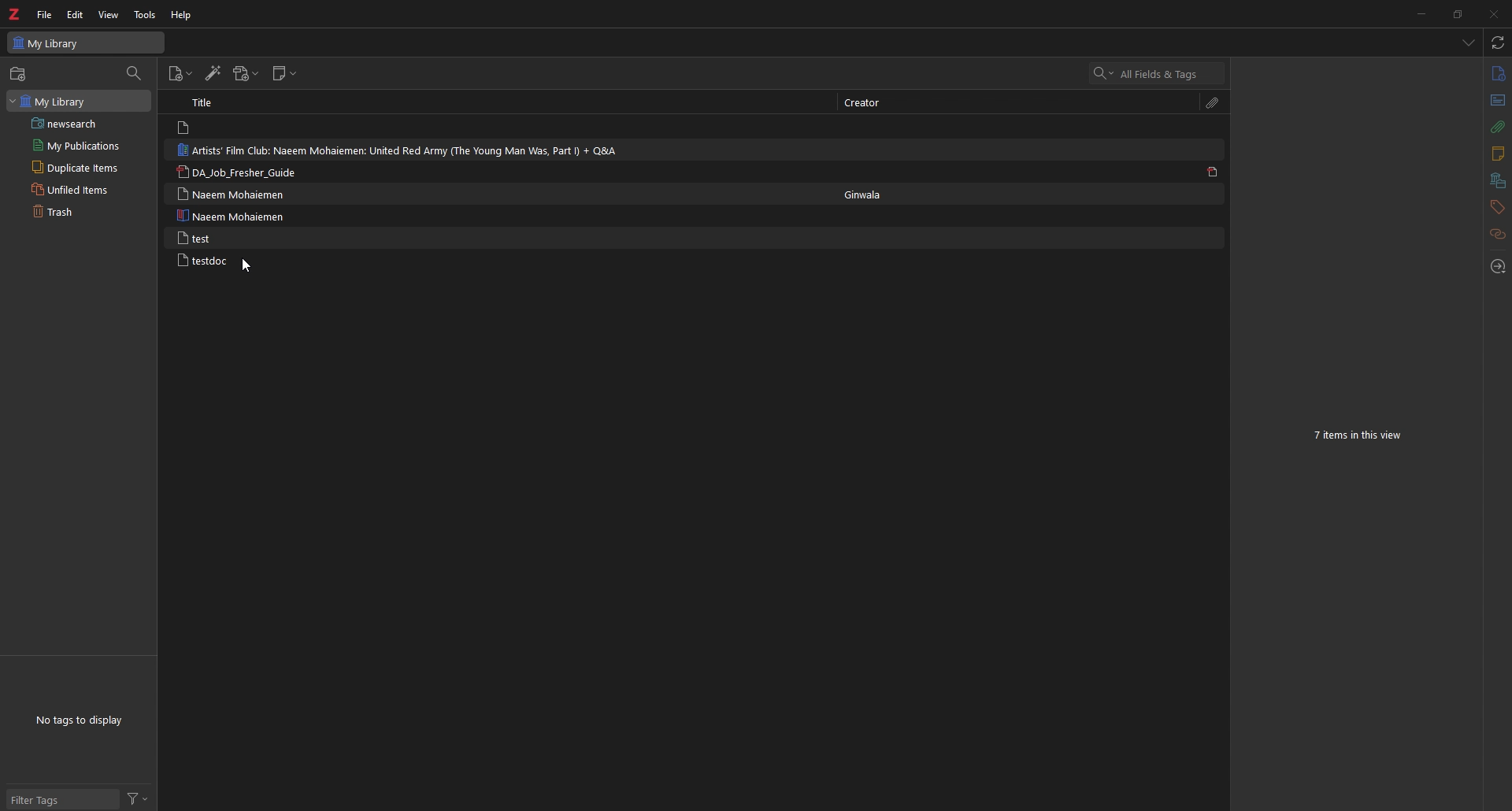  What do you see at coordinates (237, 194) in the screenshot?
I see `Naeem Mohaiemen` at bounding box center [237, 194].